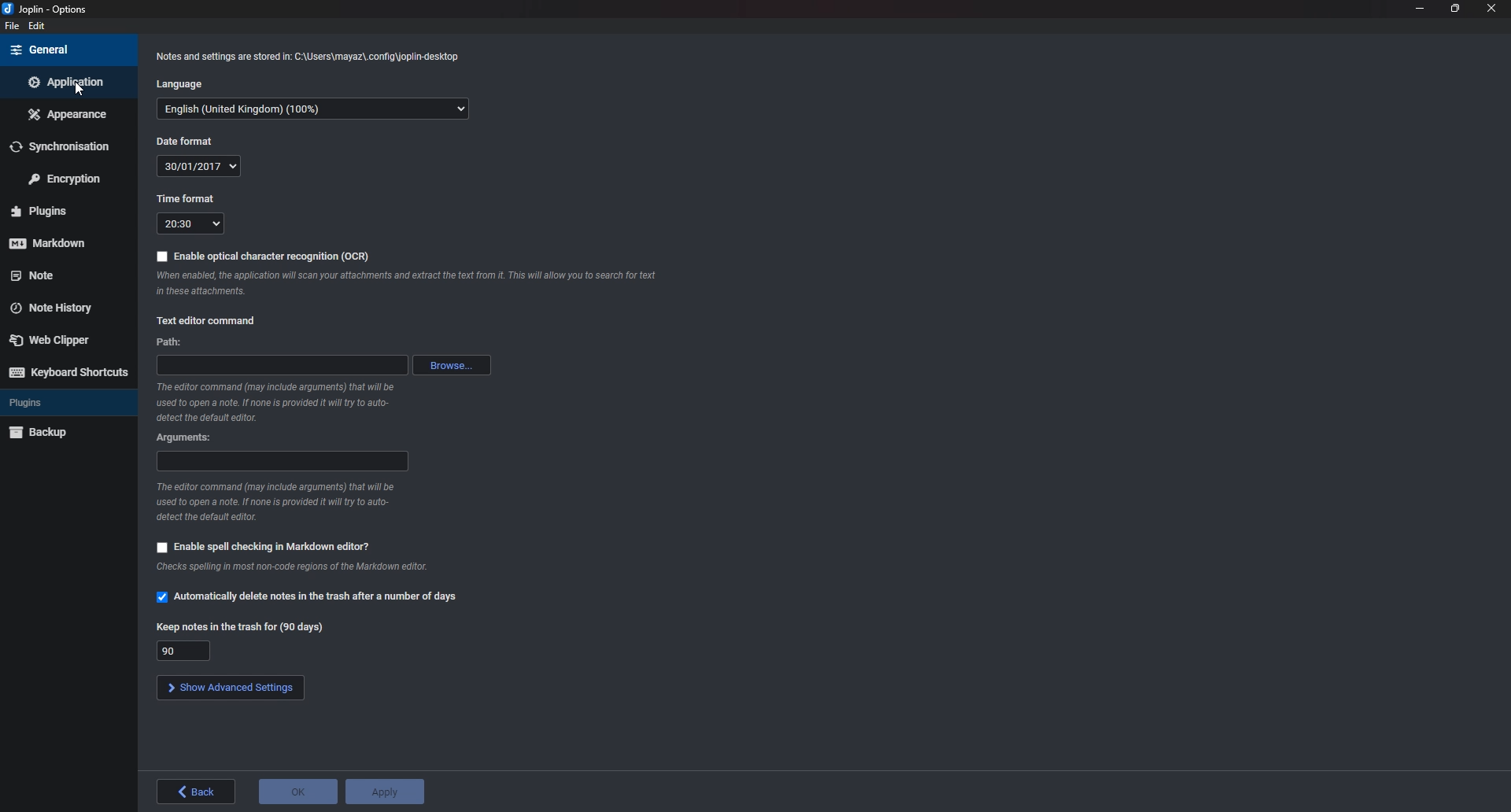  What do you see at coordinates (168, 342) in the screenshot?
I see `path` at bounding box center [168, 342].